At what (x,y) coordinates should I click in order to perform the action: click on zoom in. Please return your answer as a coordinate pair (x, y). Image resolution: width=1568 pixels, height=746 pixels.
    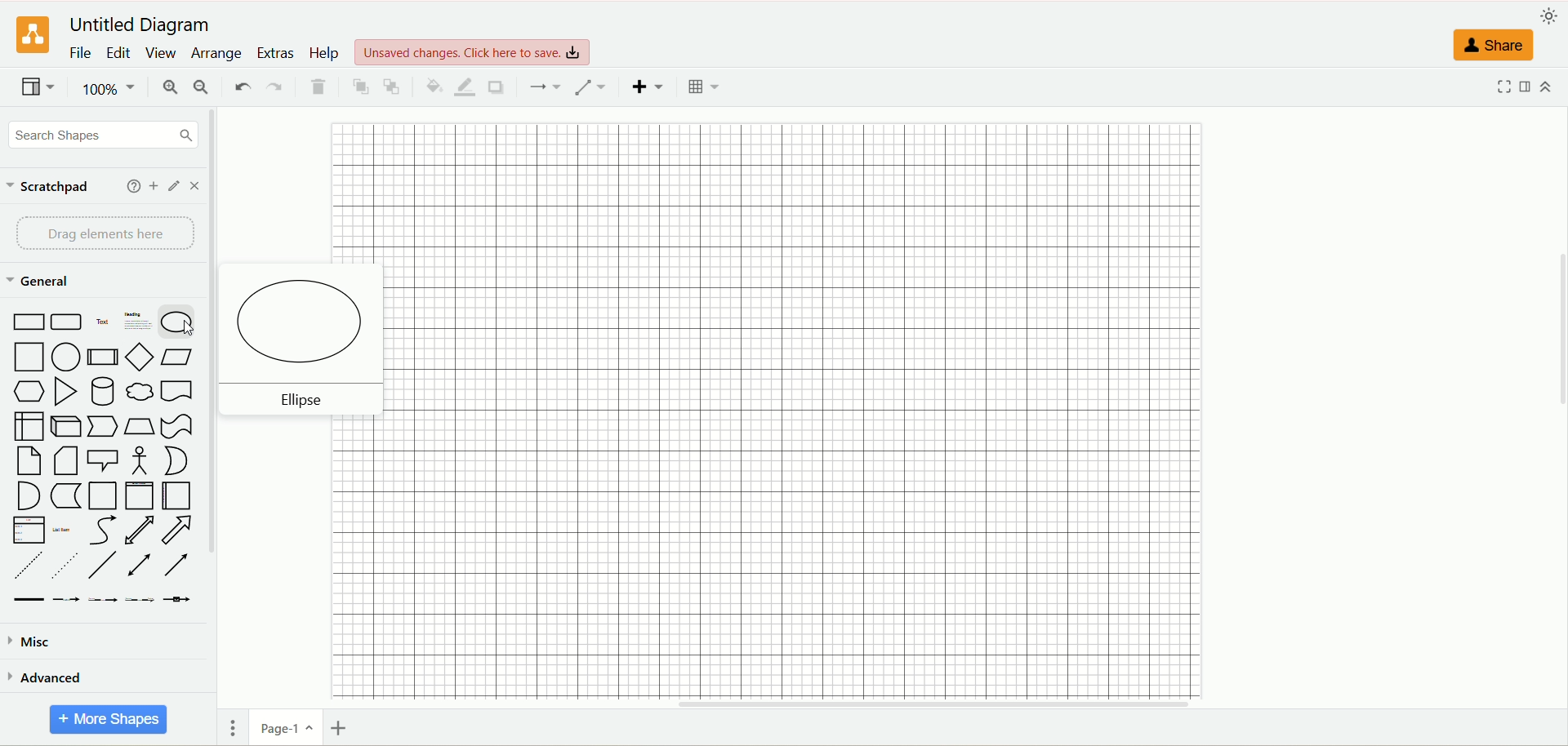
    Looking at the image, I should click on (167, 87).